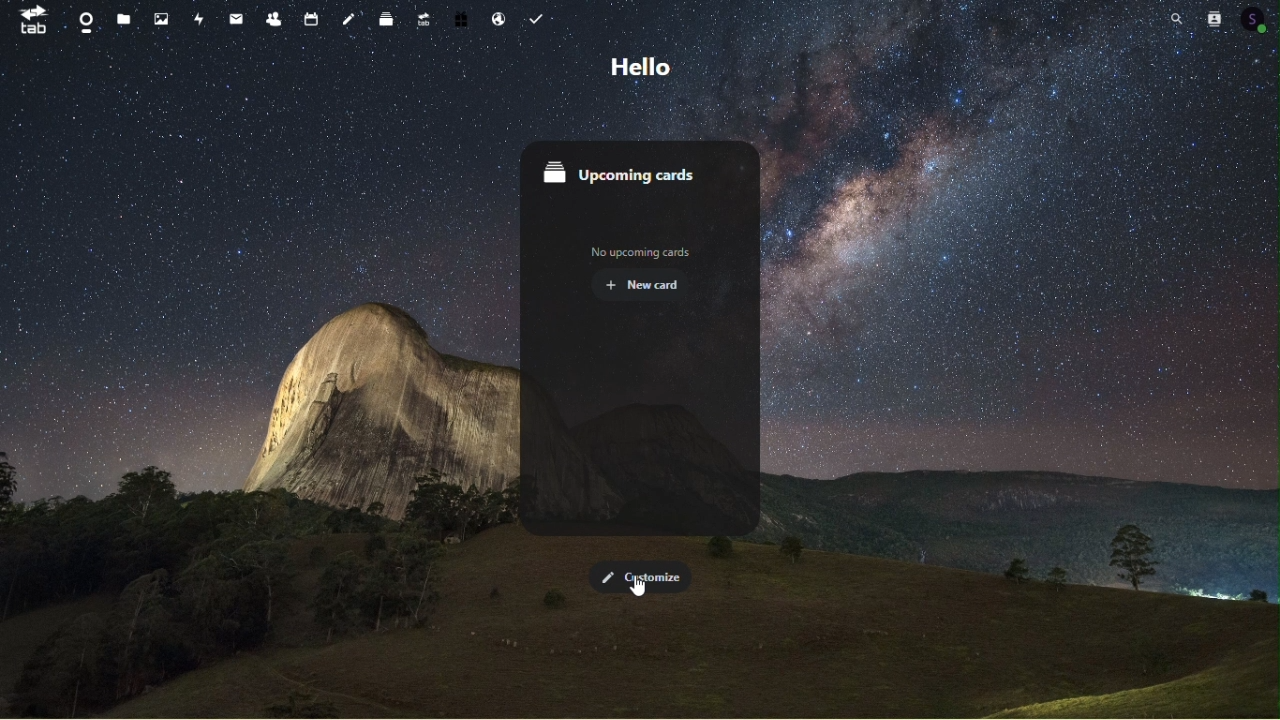  Describe the element at coordinates (310, 17) in the screenshot. I see `Calendar` at that location.